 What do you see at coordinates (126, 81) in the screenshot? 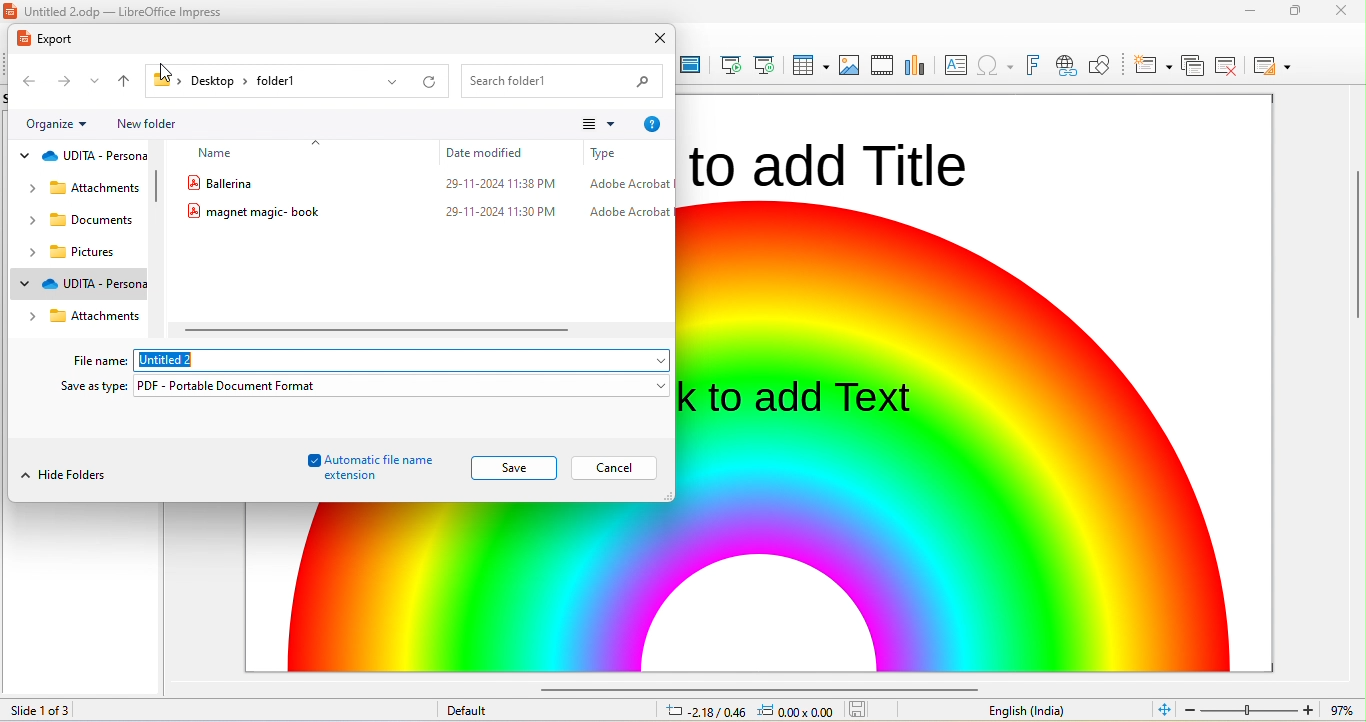
I see `upto previous` at bounding box center [126, 81].